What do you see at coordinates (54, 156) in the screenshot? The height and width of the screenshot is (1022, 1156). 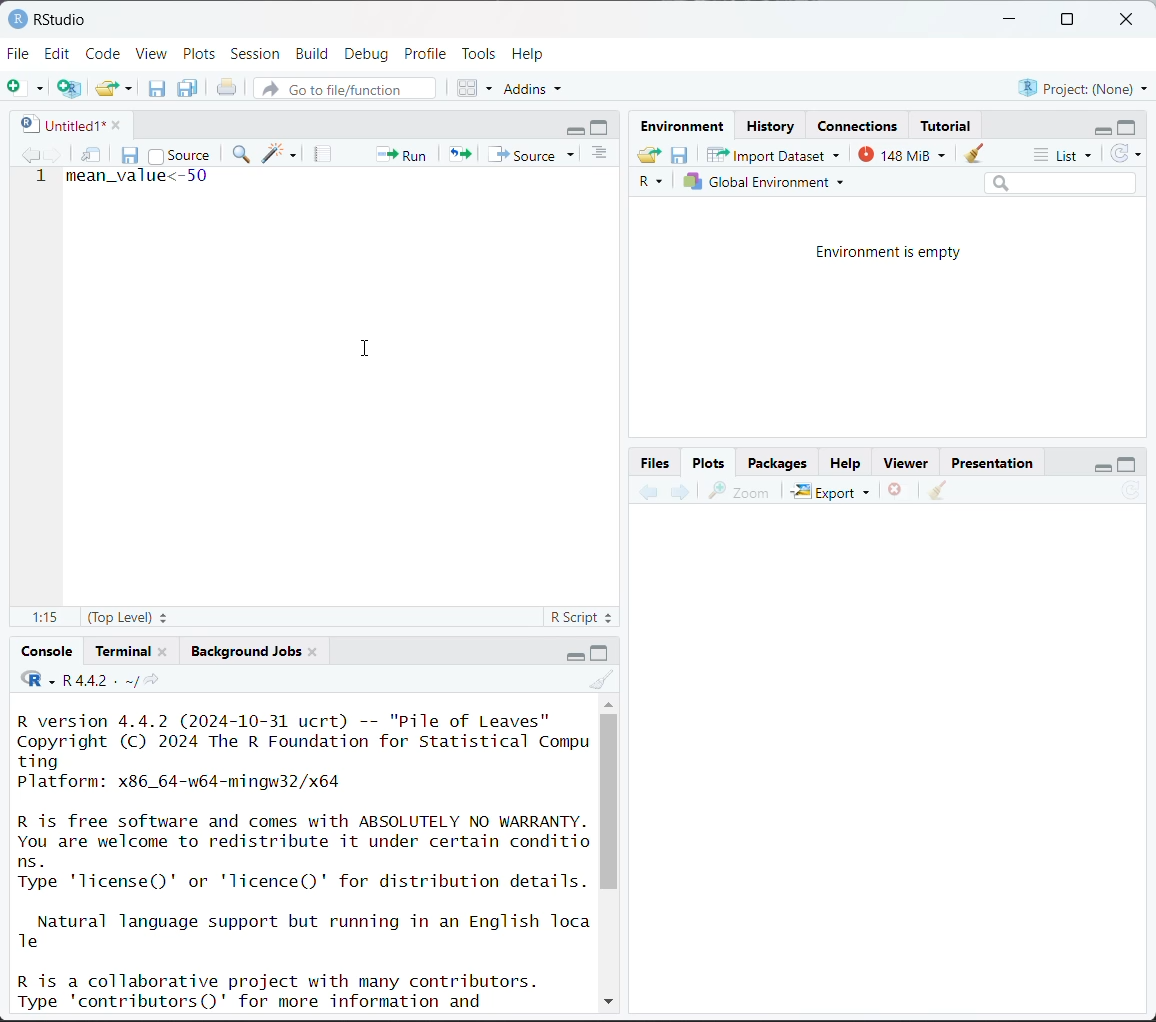 I see `go forward to next source location` at bounding box center [54, 156].